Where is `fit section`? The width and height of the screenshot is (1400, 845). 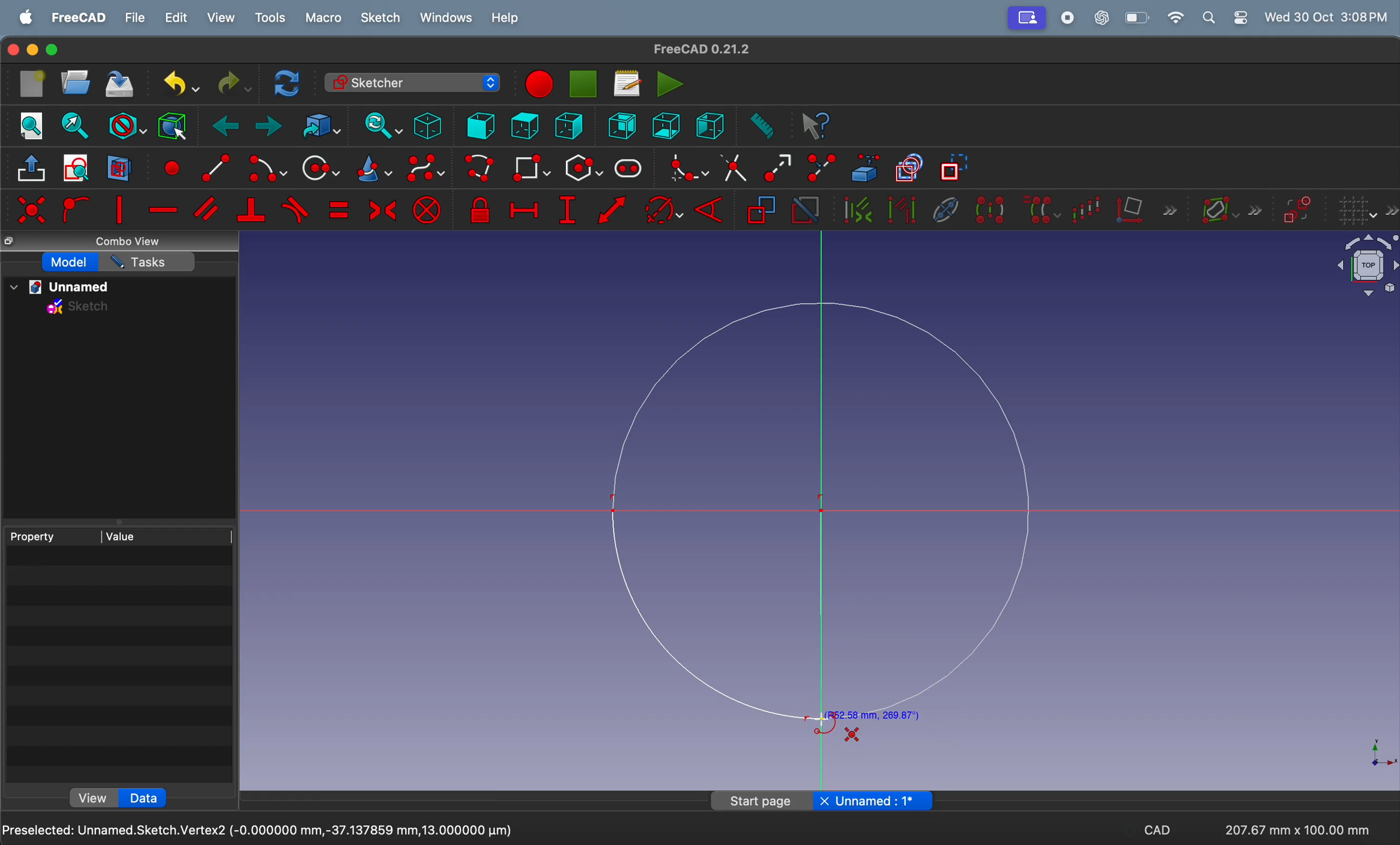
fit section is located at coordinates (74, 126).